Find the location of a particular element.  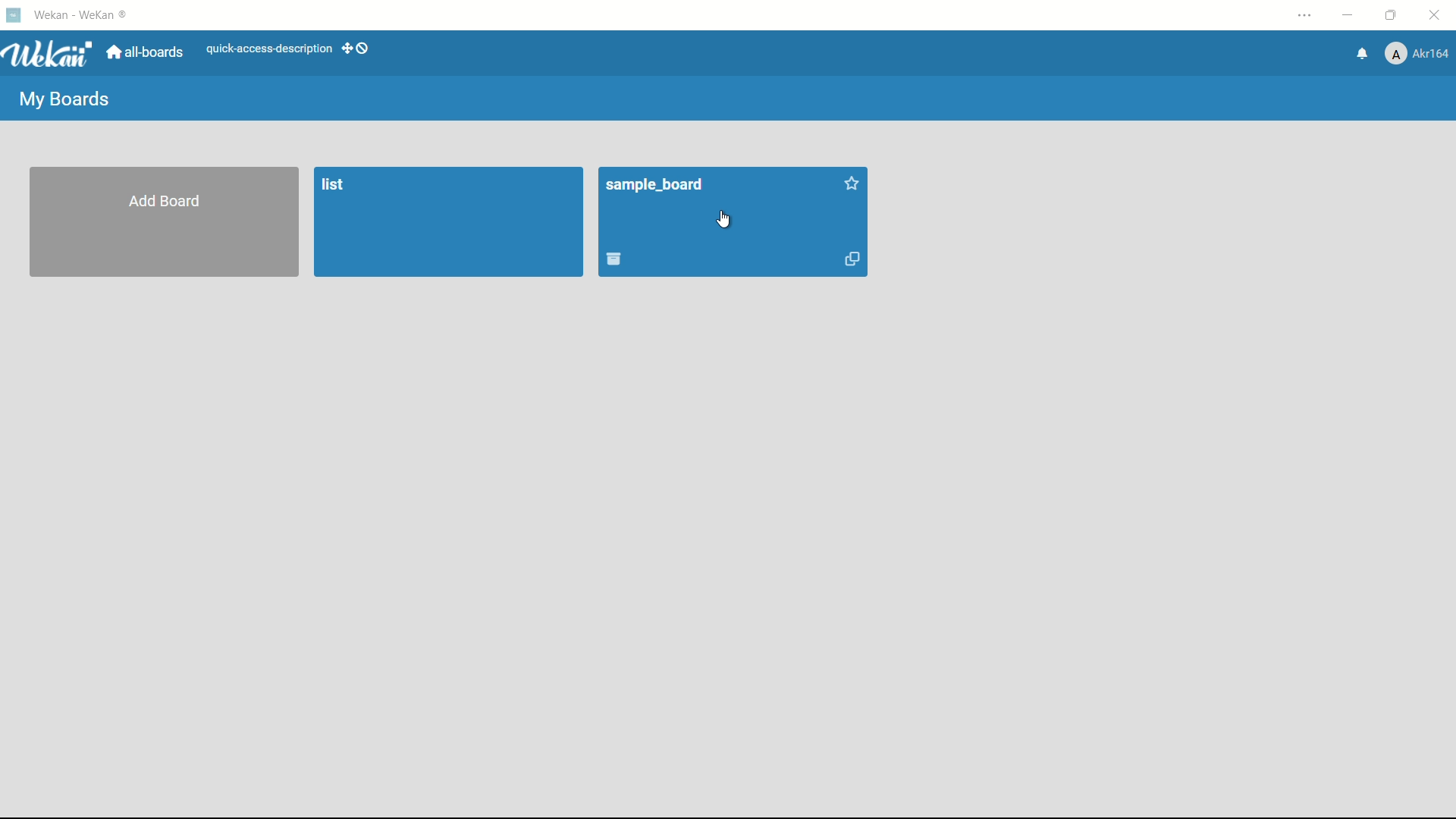

settings and more is located at coordinates (1305, 16).